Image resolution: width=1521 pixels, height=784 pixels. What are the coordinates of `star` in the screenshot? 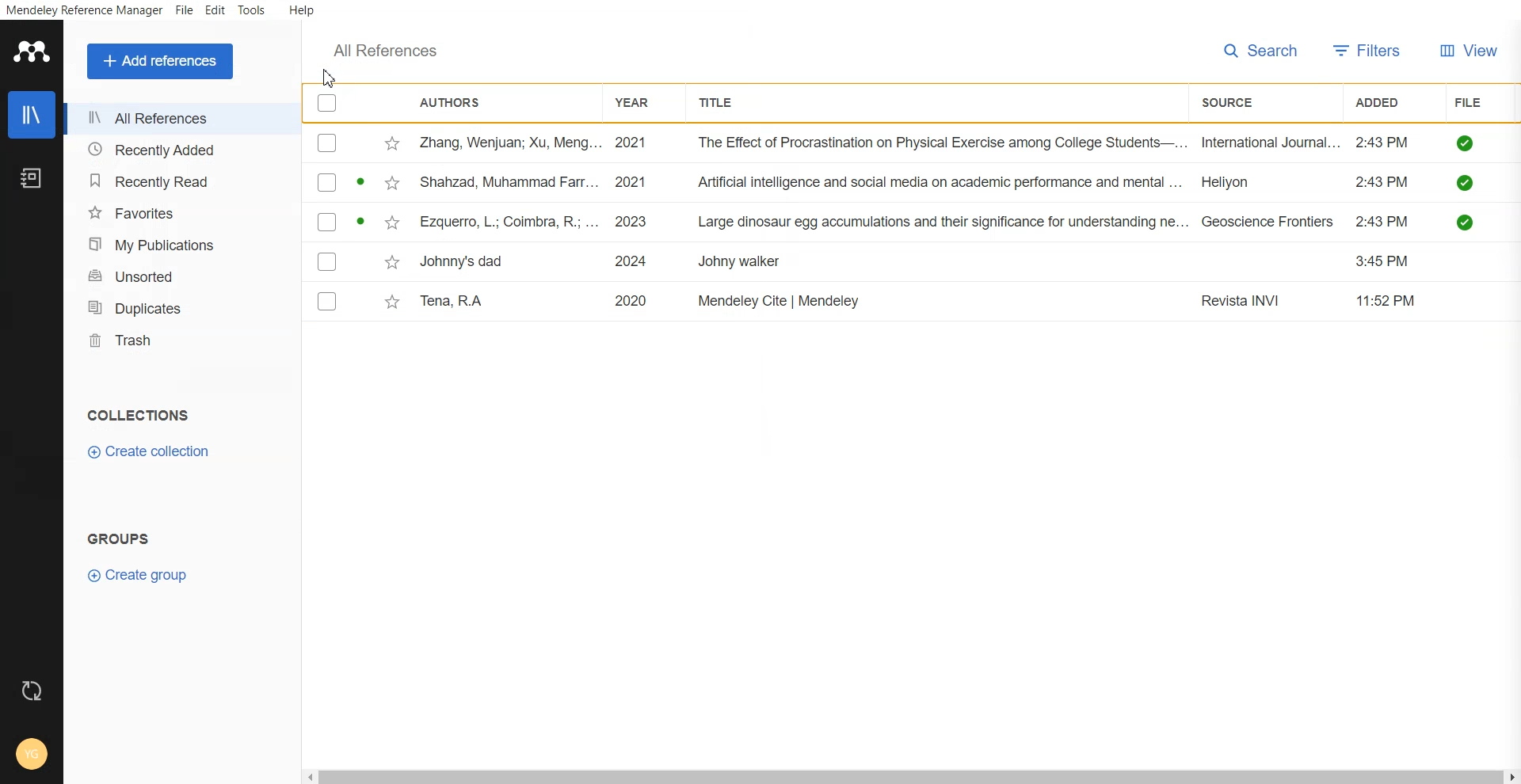 It's located at (390, 262).